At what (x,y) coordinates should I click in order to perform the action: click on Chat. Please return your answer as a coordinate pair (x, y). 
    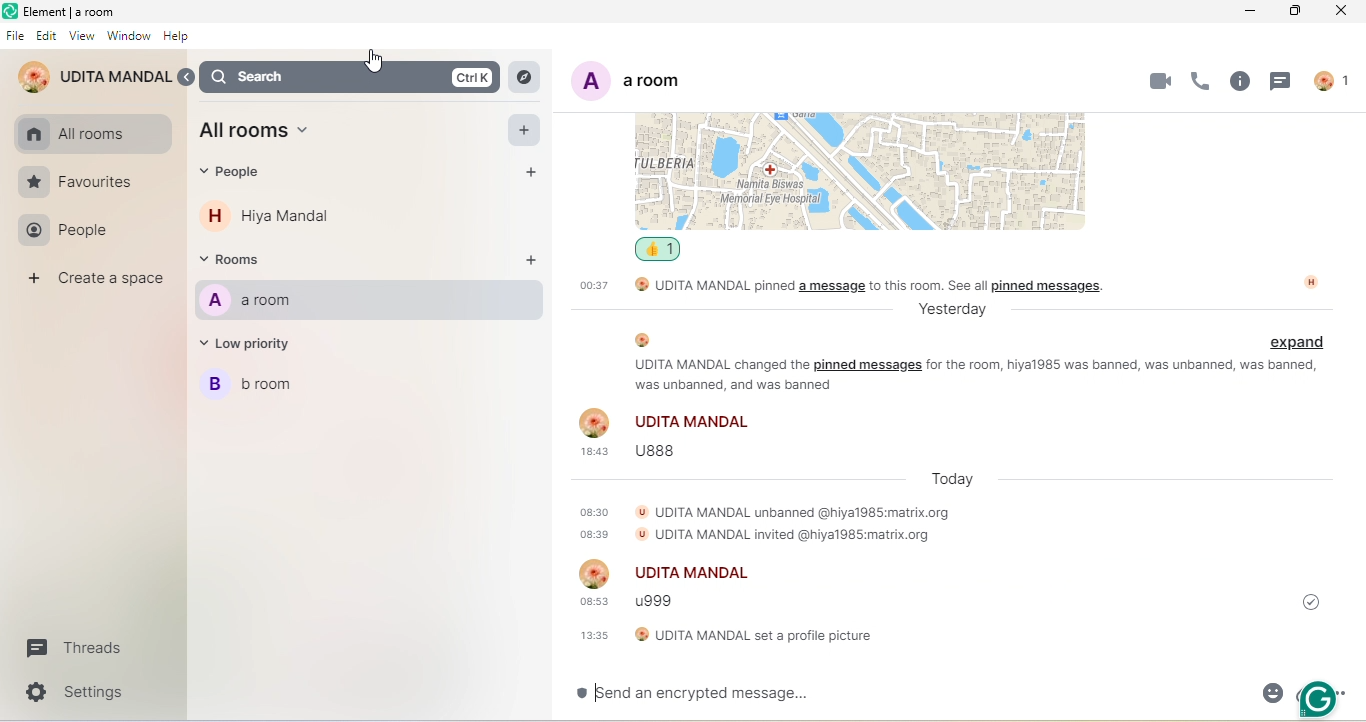
    Looking at the image, I should click on (1287, 82).